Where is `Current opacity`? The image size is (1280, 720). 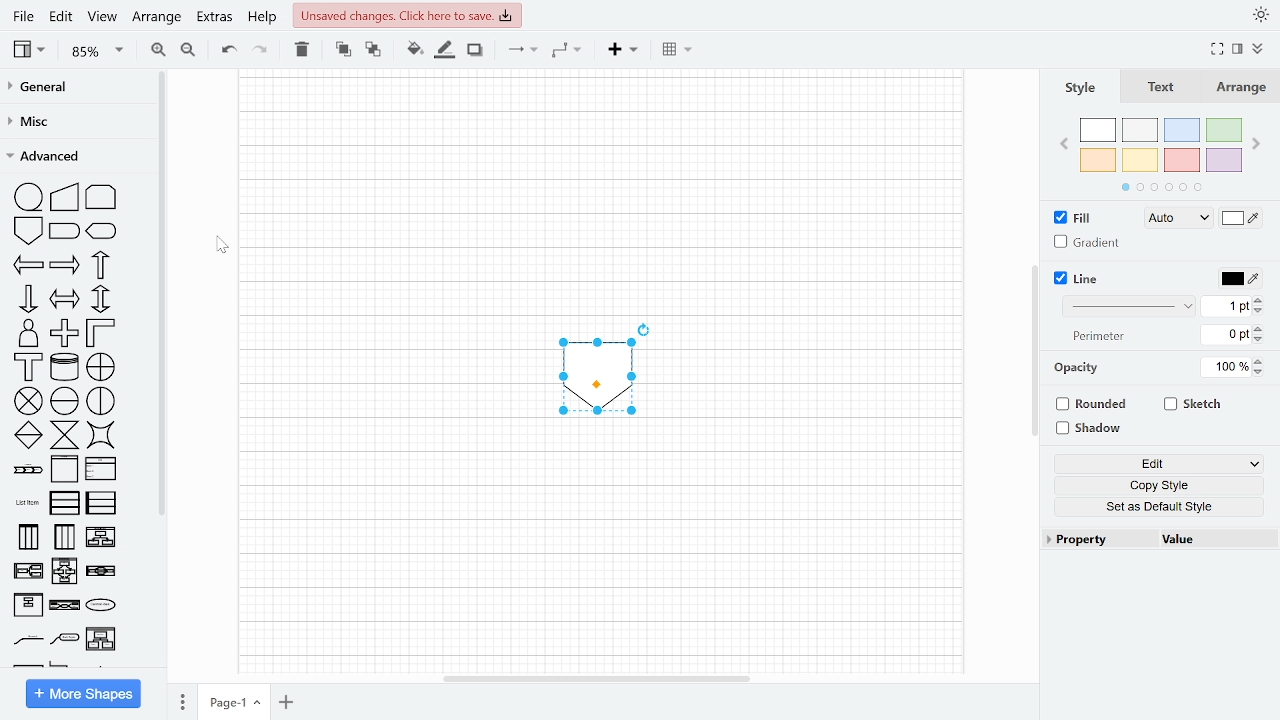 Current opacity is located at coordinates (1226, 368).